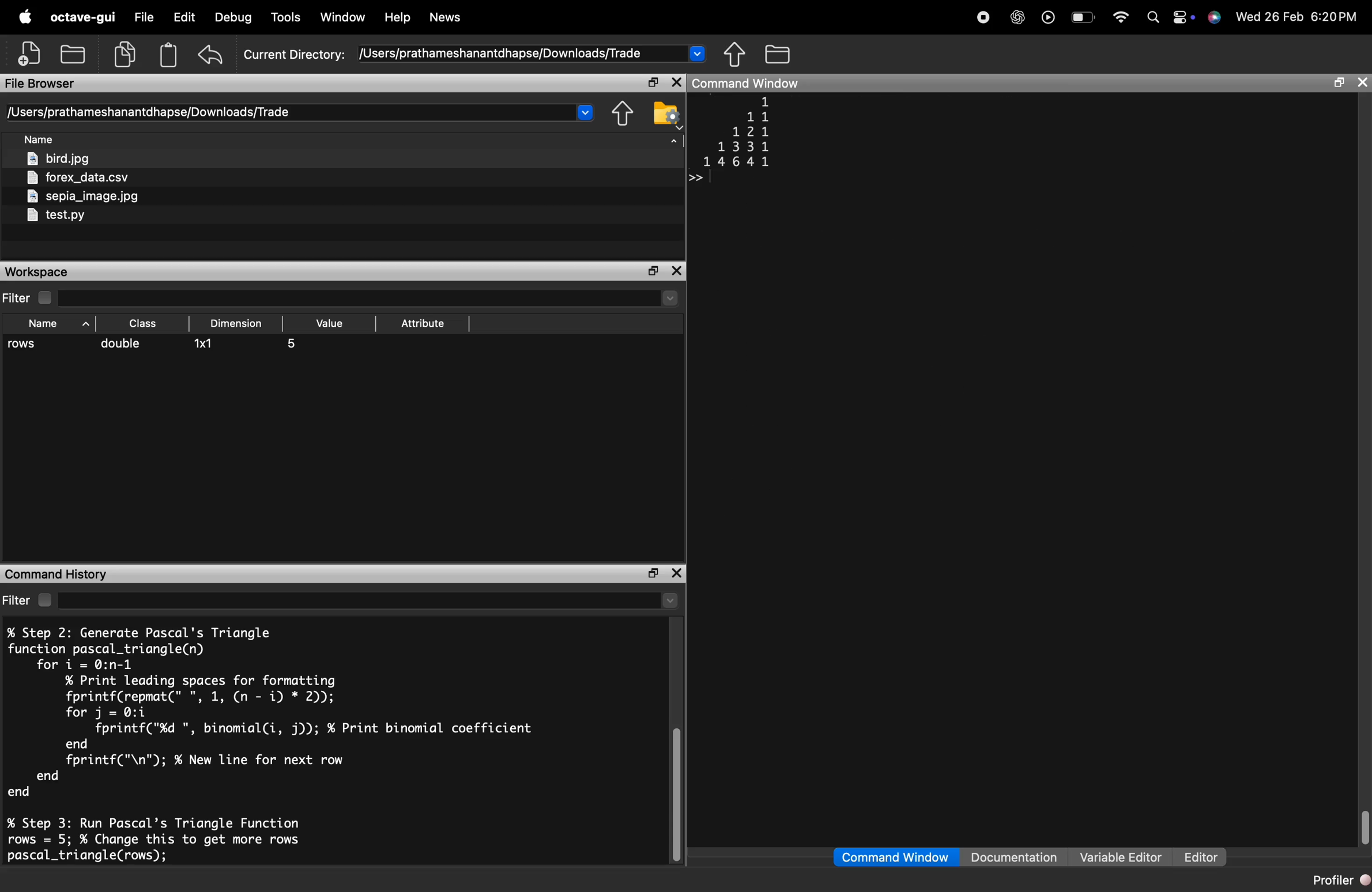 Image resolution: width=1372 pixels, height=892 pixels. What do you see at coordinates (1363, 826) in the screenshot?
I see `scroll bar` at bounding box center [1363, 826].